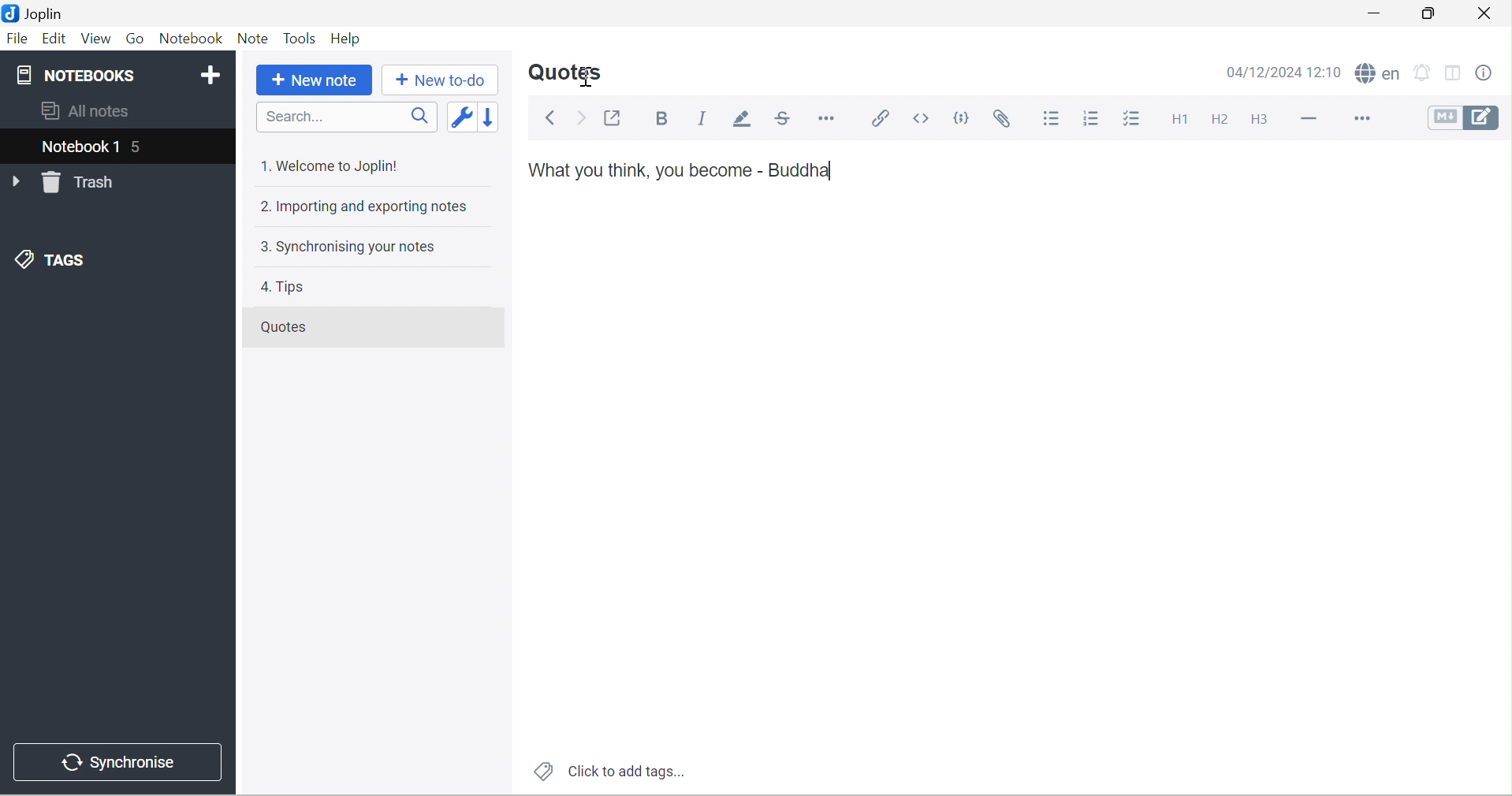 The width and height of the screenshot is (1512, 796). What do you see at coordinates (39, 13) in the screenshot?
I see `Joplin` at bounding box center [39, 13].